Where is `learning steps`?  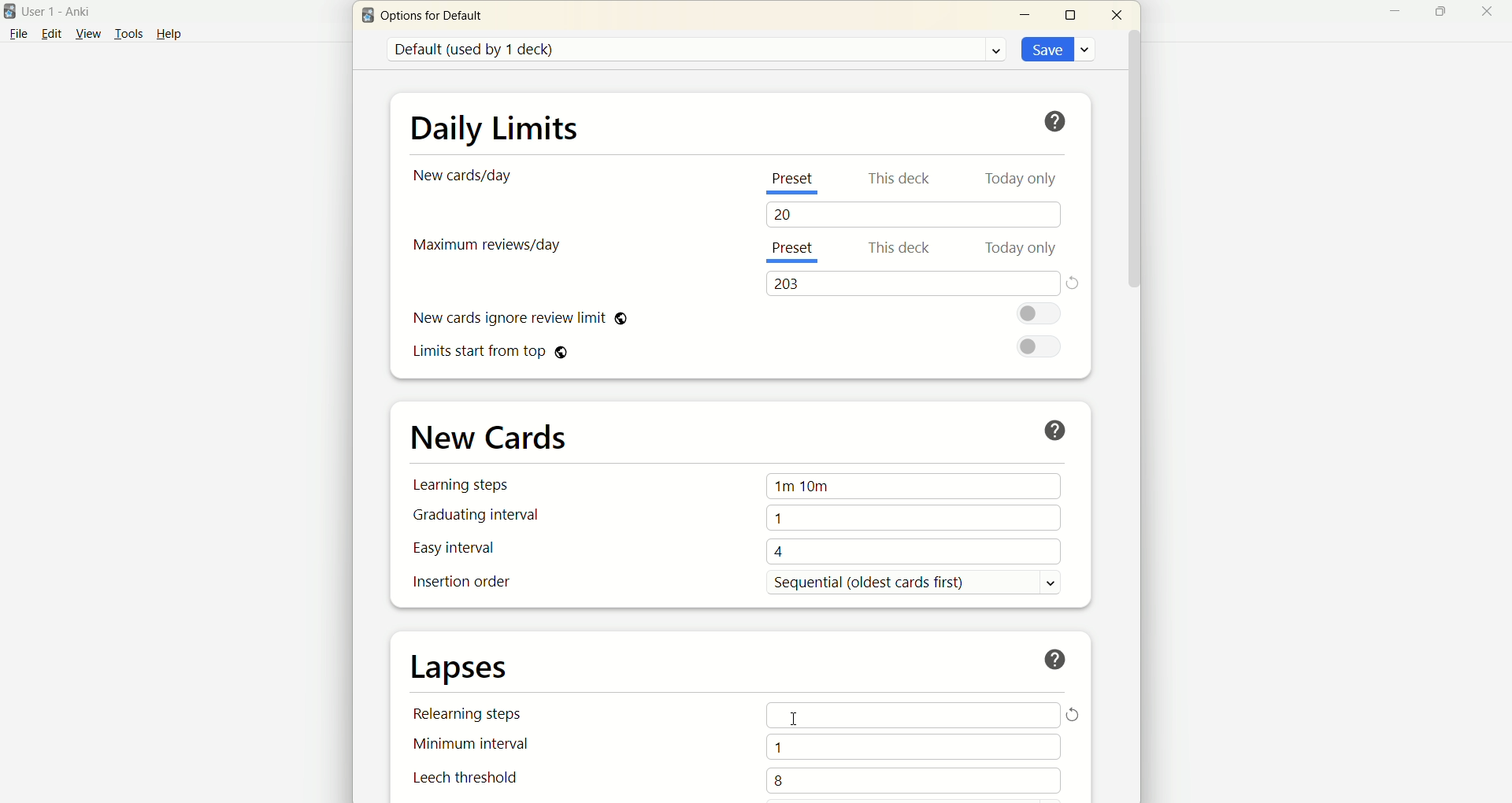
learning steps is located at coordinates (465, 484).